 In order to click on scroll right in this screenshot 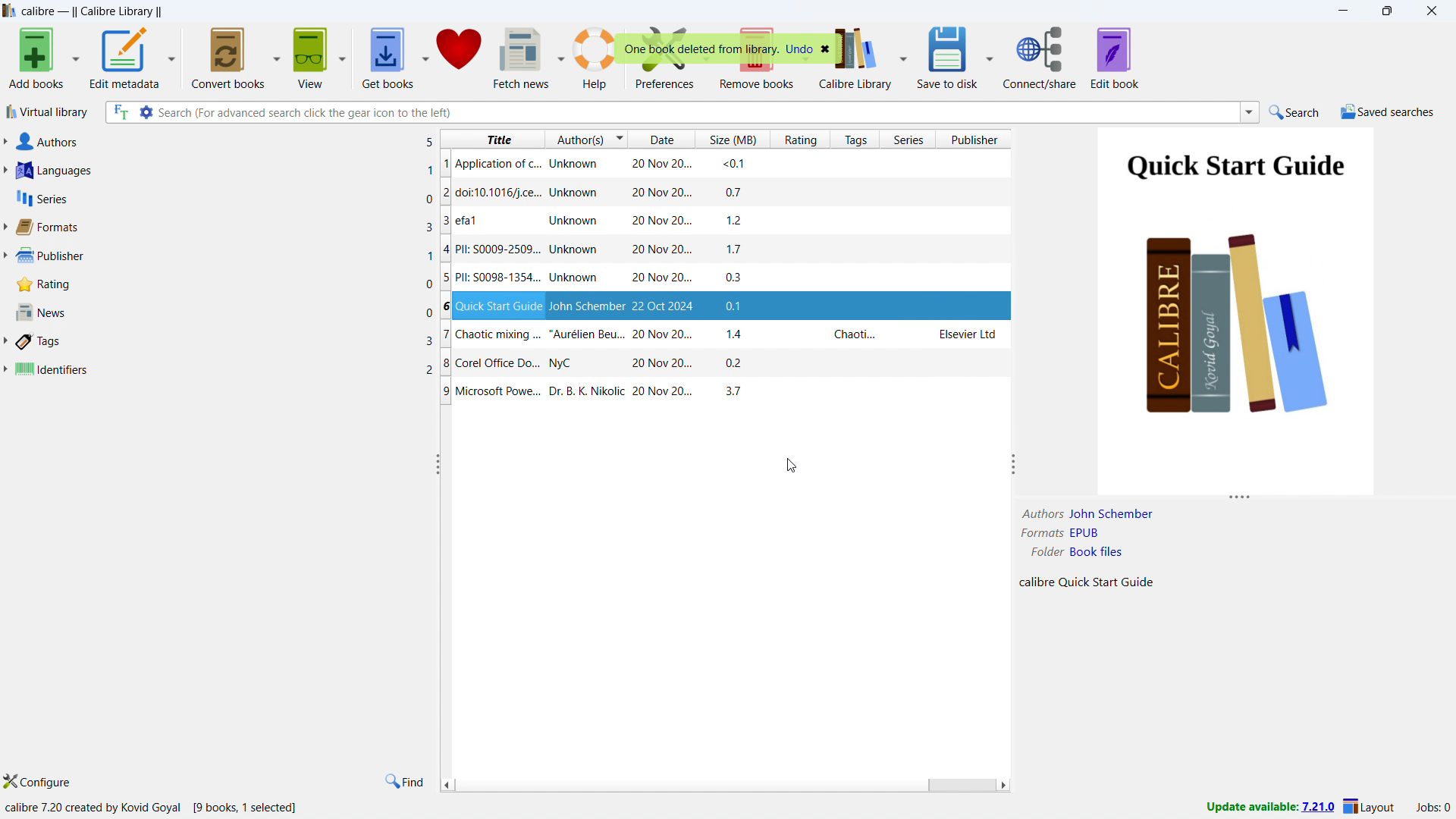, I will do `click(1004, 786)`.